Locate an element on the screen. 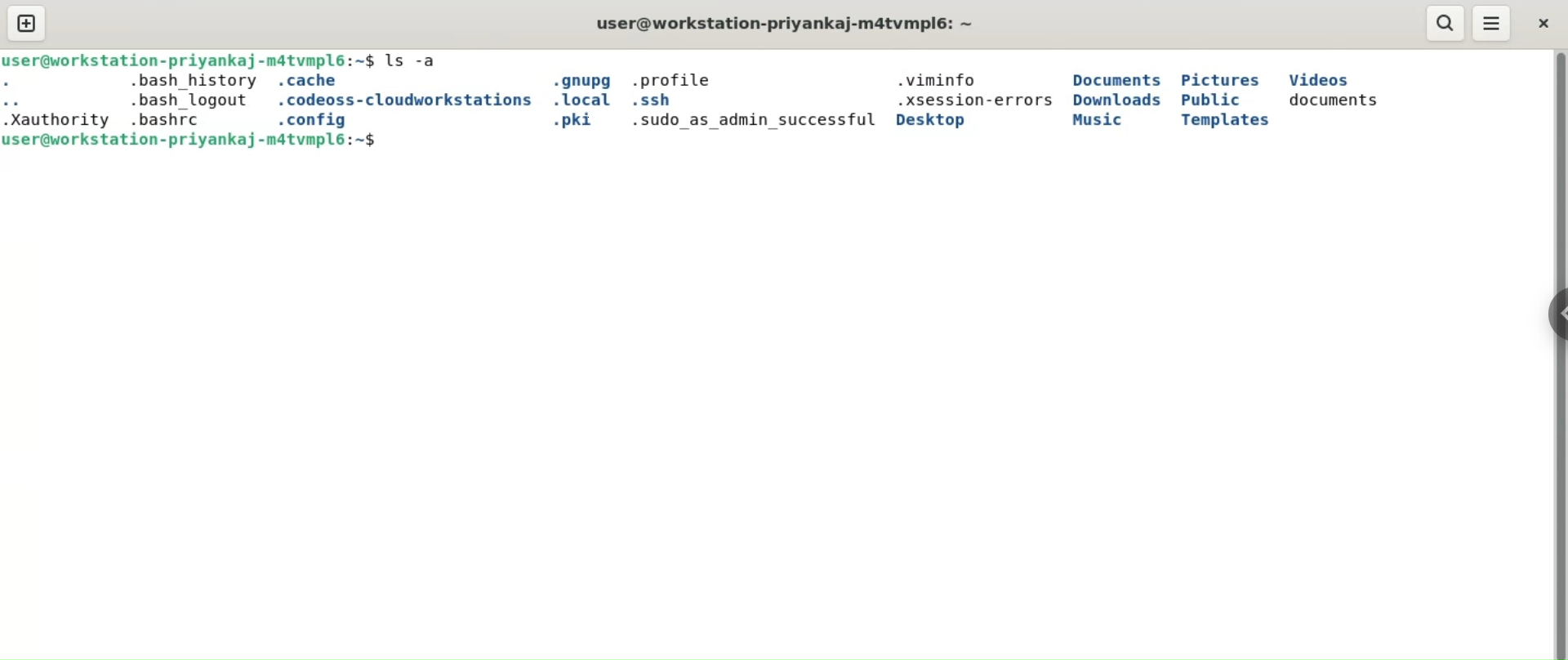 This screenshot has width=1568, height=660. Public is located at coordinates (1217, 101).